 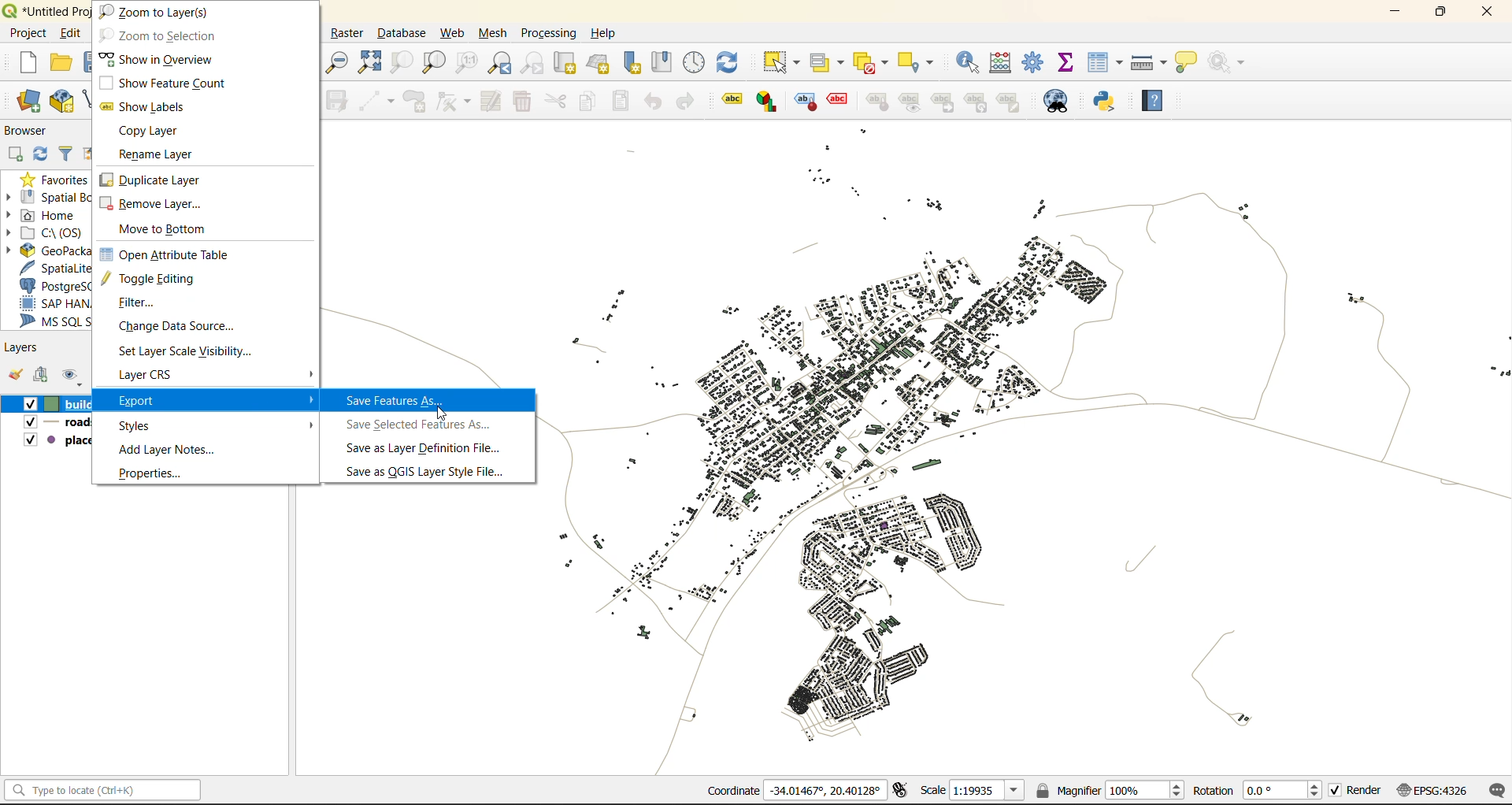 What do you see at coordinates (656, 100) in the screenshot?
I see `undo` at bounding box center [656, 100].